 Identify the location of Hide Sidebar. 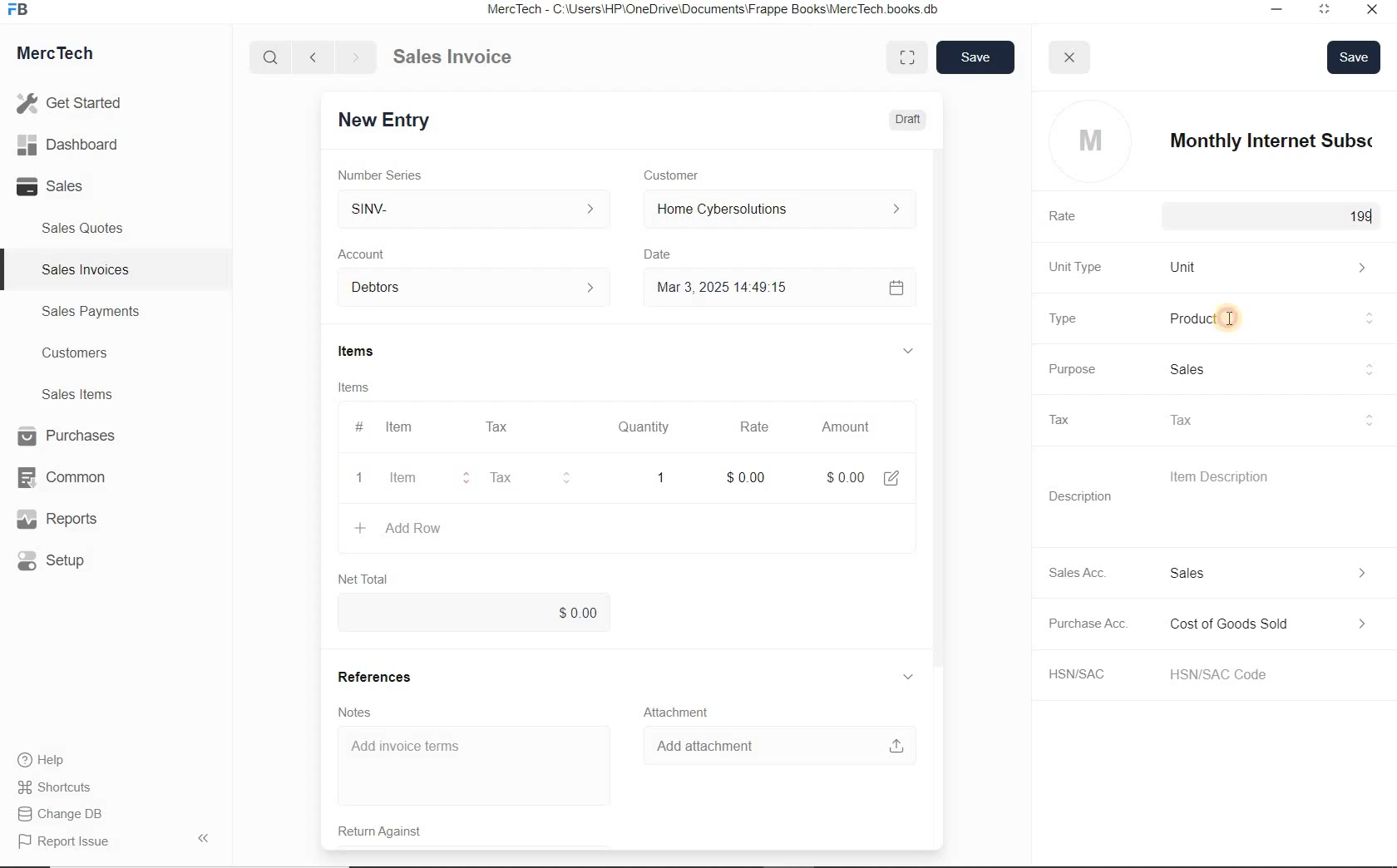
(202, 837).